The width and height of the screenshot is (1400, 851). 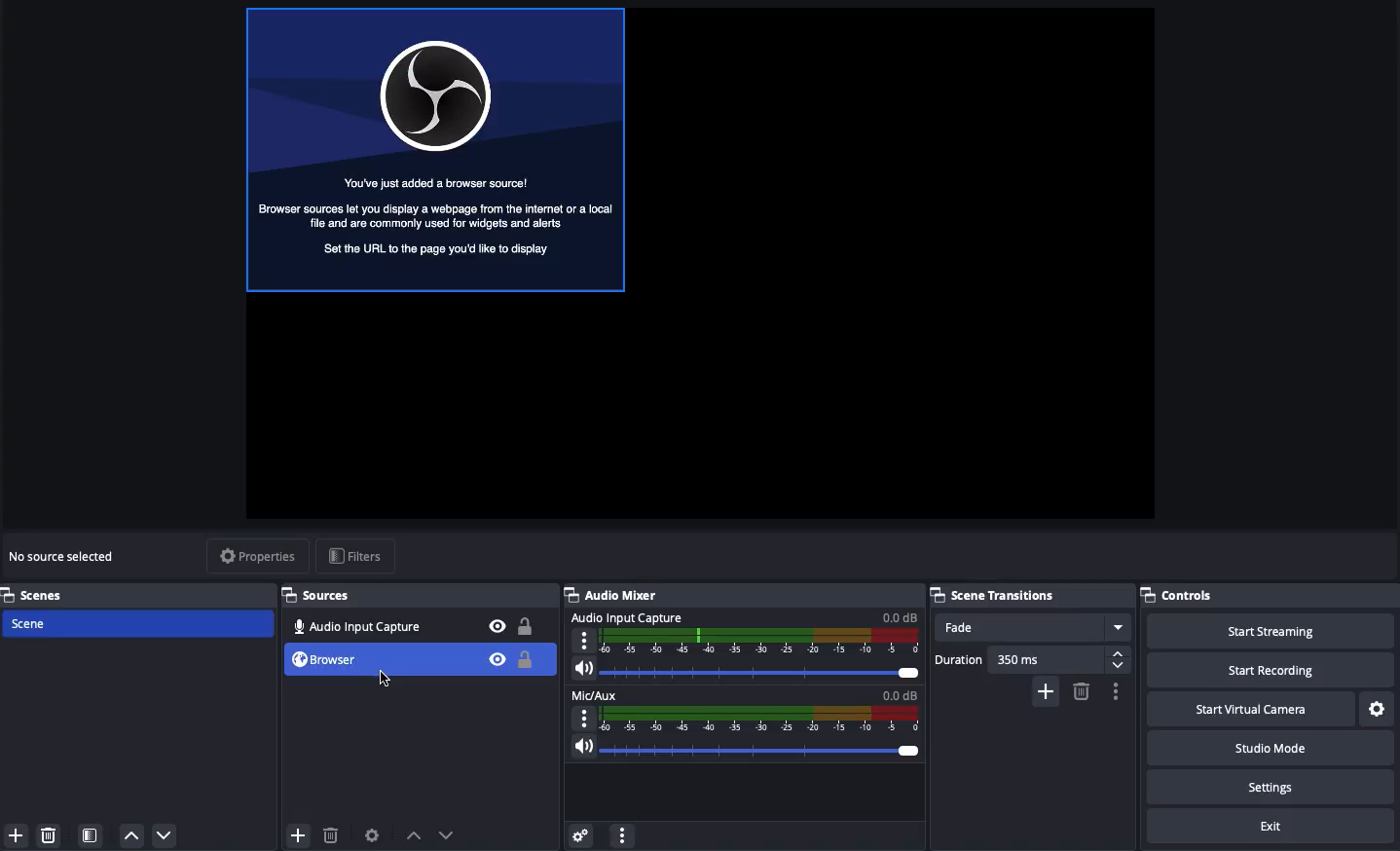 What do you see at coordinates (374, 834) in the screenshot?
I see `Source preferences` at bounding box center [374, 834].